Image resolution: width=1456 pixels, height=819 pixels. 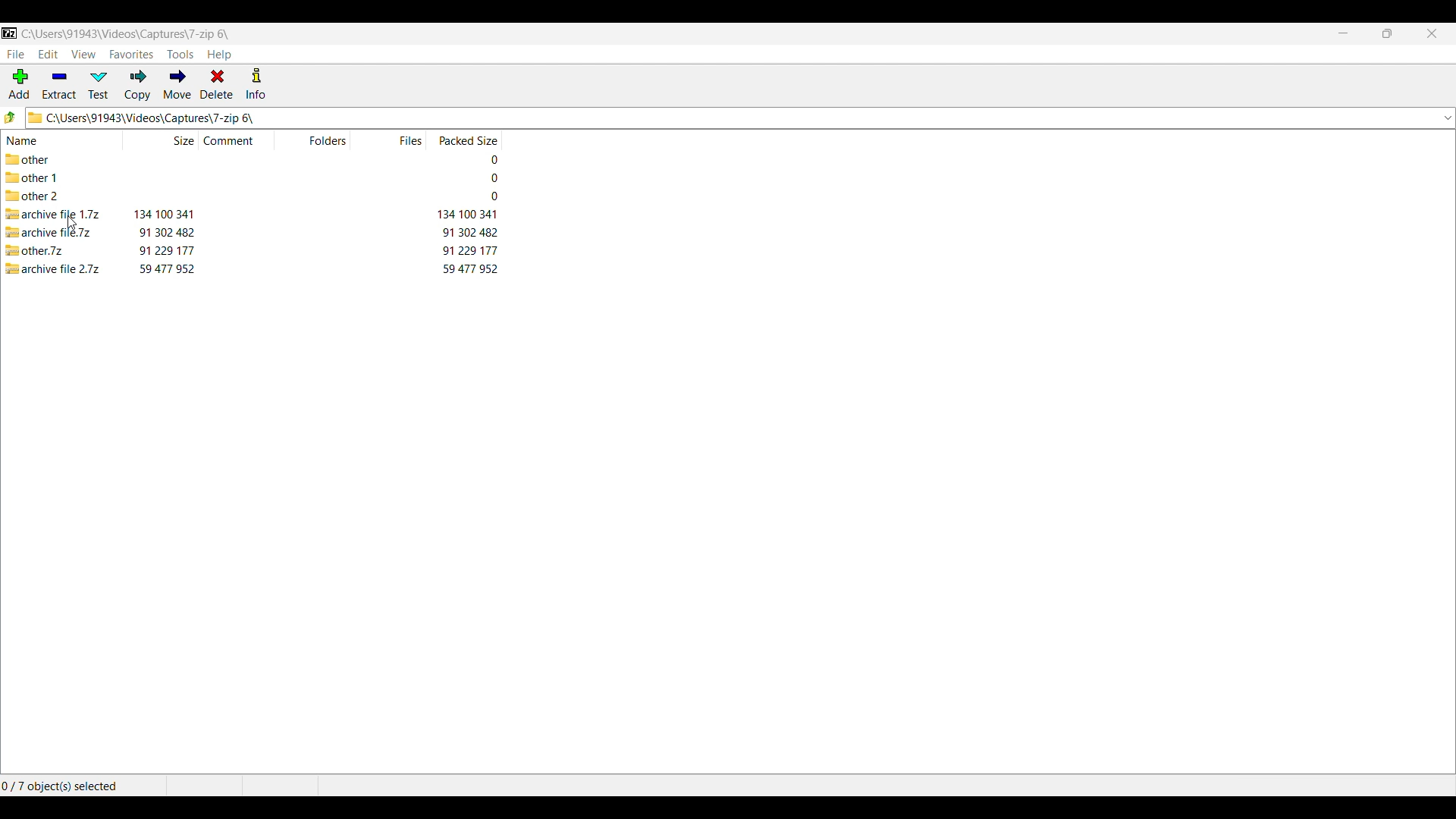 What do you see at coordinates (55, 268) in the screenshot?
I see `archive file 2.7z ` at bounding box center [55, 268].